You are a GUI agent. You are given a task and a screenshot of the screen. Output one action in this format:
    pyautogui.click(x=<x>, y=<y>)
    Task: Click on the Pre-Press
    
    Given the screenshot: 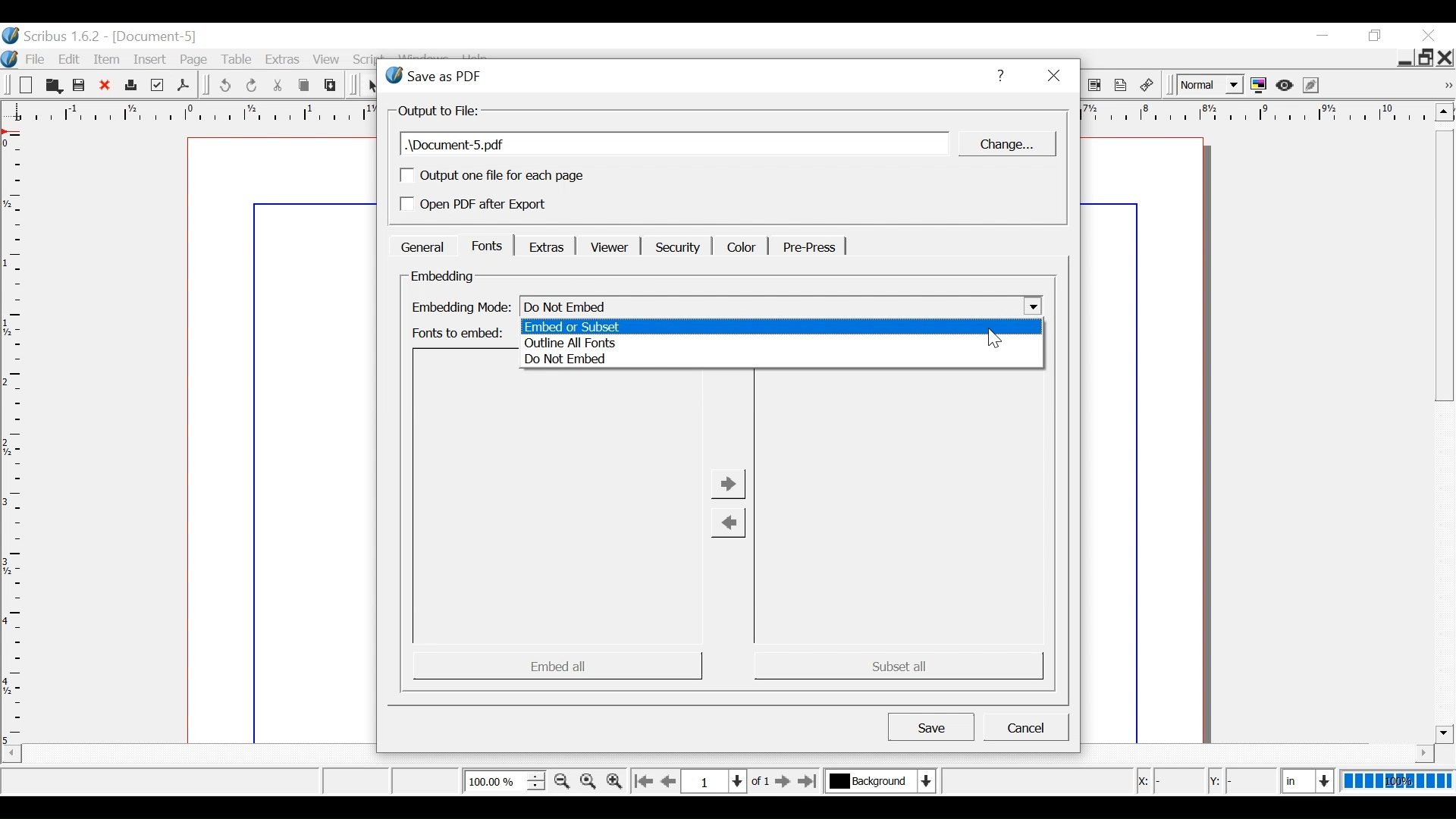 What is the action you would take?
    pyautogui.click(x=806, y=247)
    